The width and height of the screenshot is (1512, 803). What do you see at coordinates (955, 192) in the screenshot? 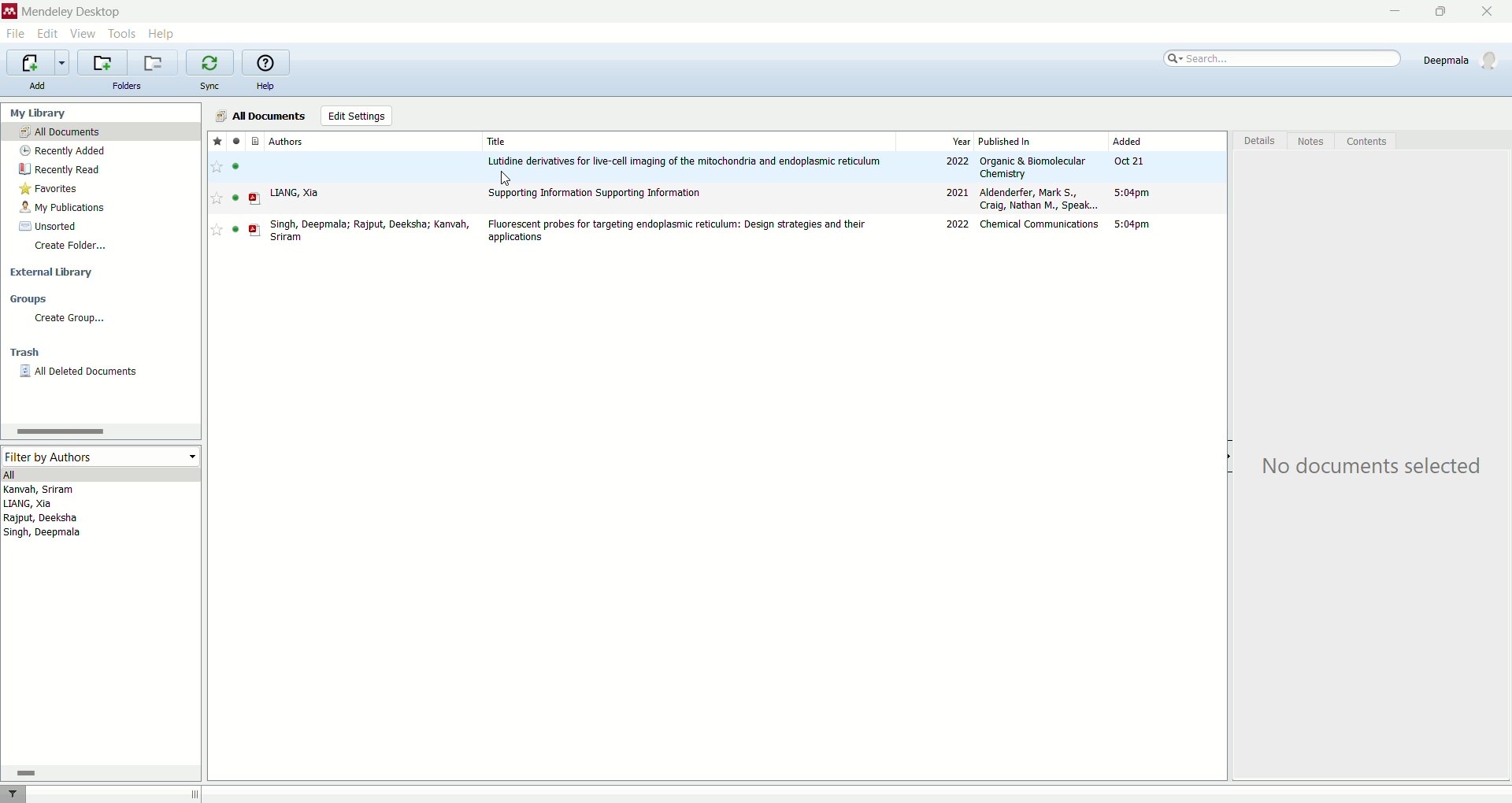
I see `2021` at bounding box center [955, 192].